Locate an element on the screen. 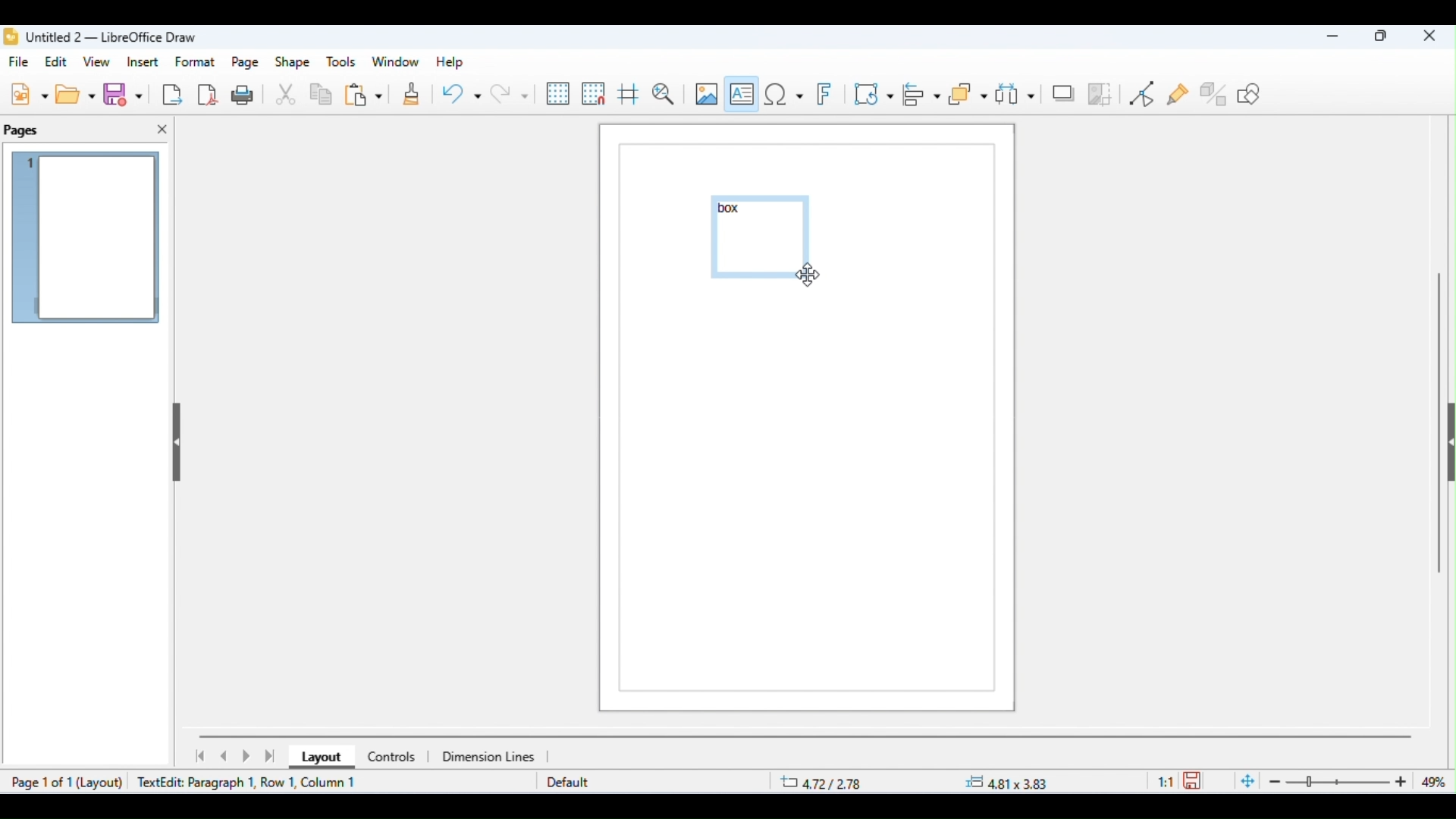 The image size is (1456, 819). redo is located at coordinates (509, 93).